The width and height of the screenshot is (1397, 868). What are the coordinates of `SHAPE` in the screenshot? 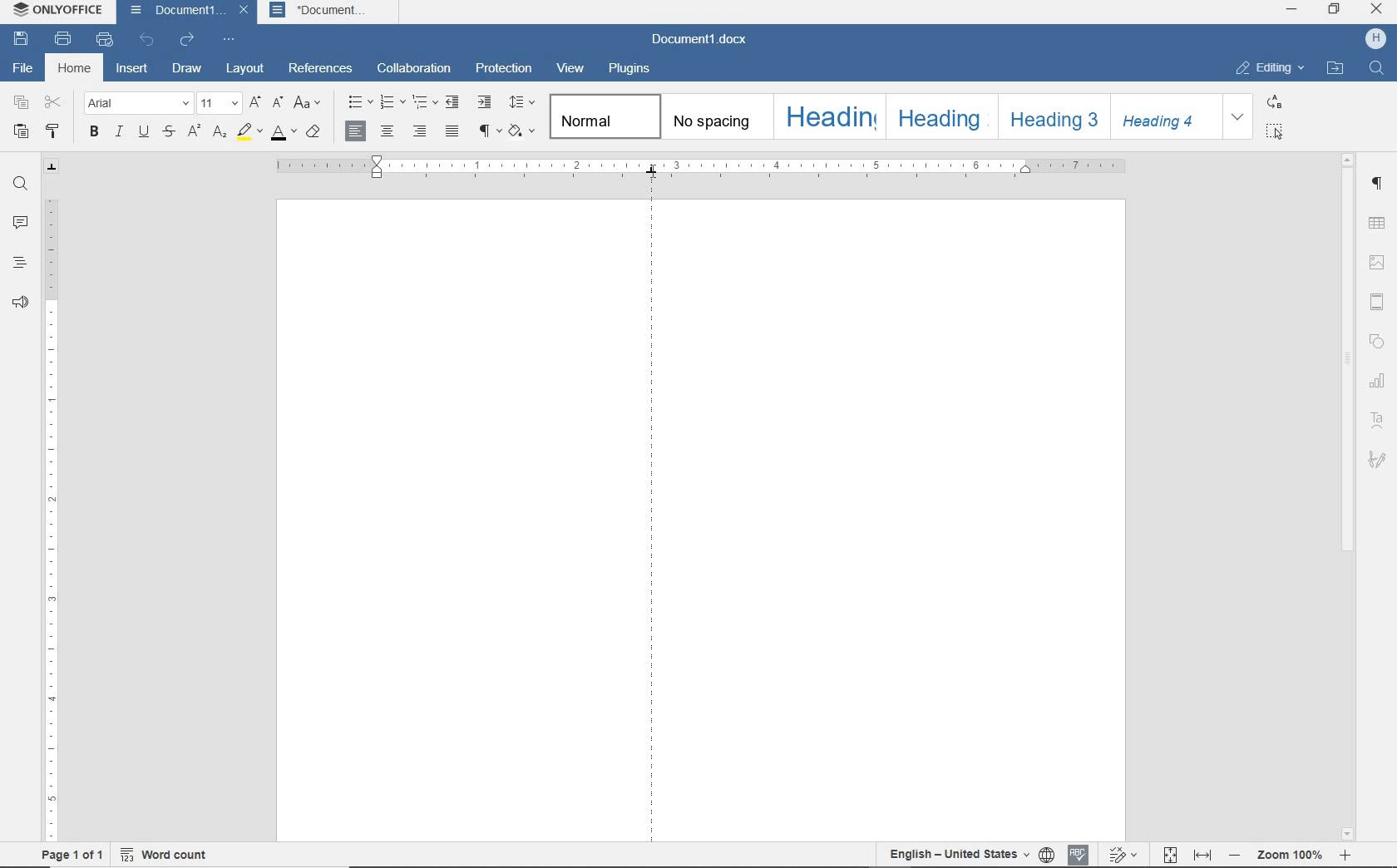 It's located at (1379, 343).